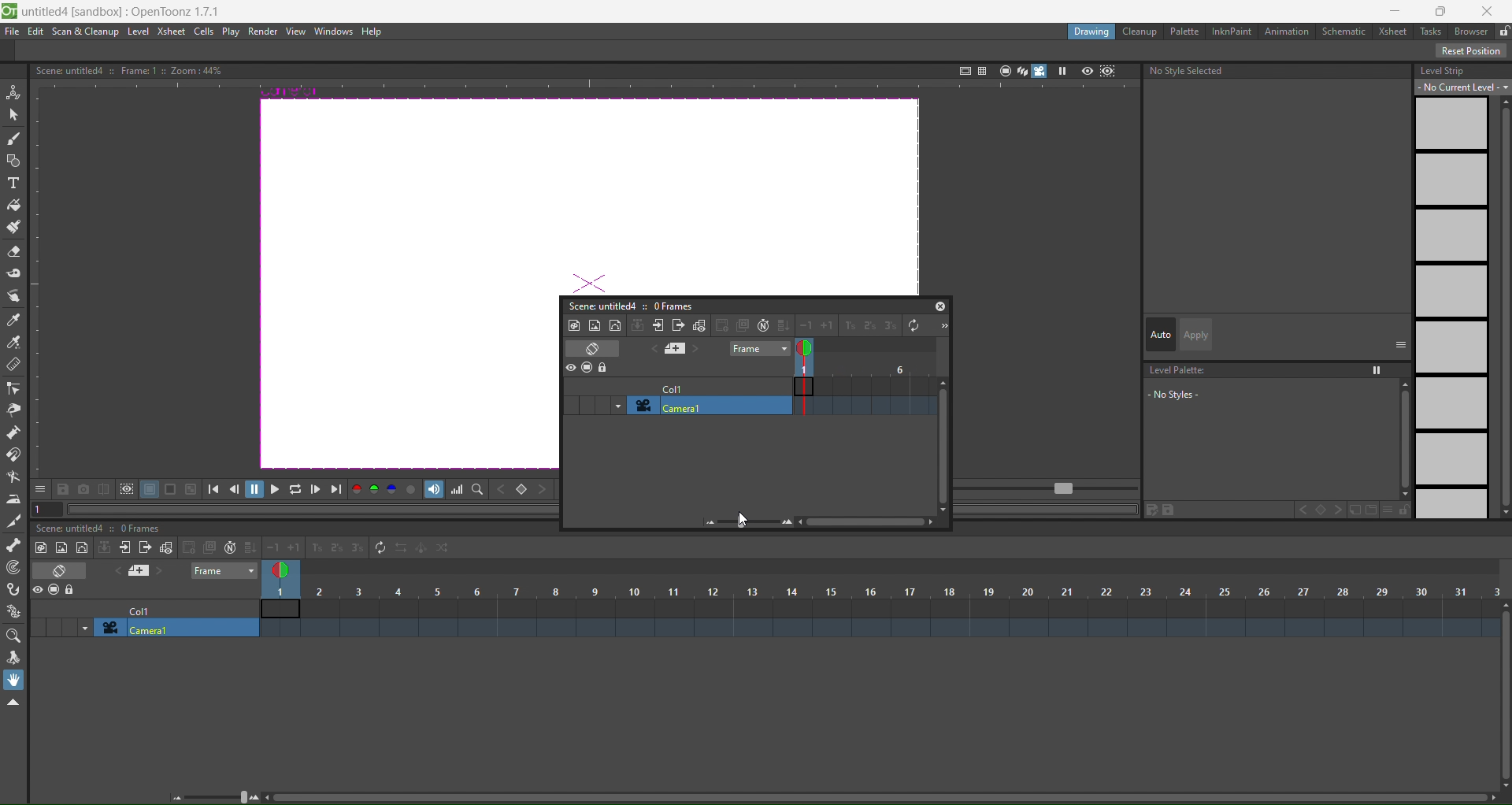  I want to click on browser, so click(1471, 32).